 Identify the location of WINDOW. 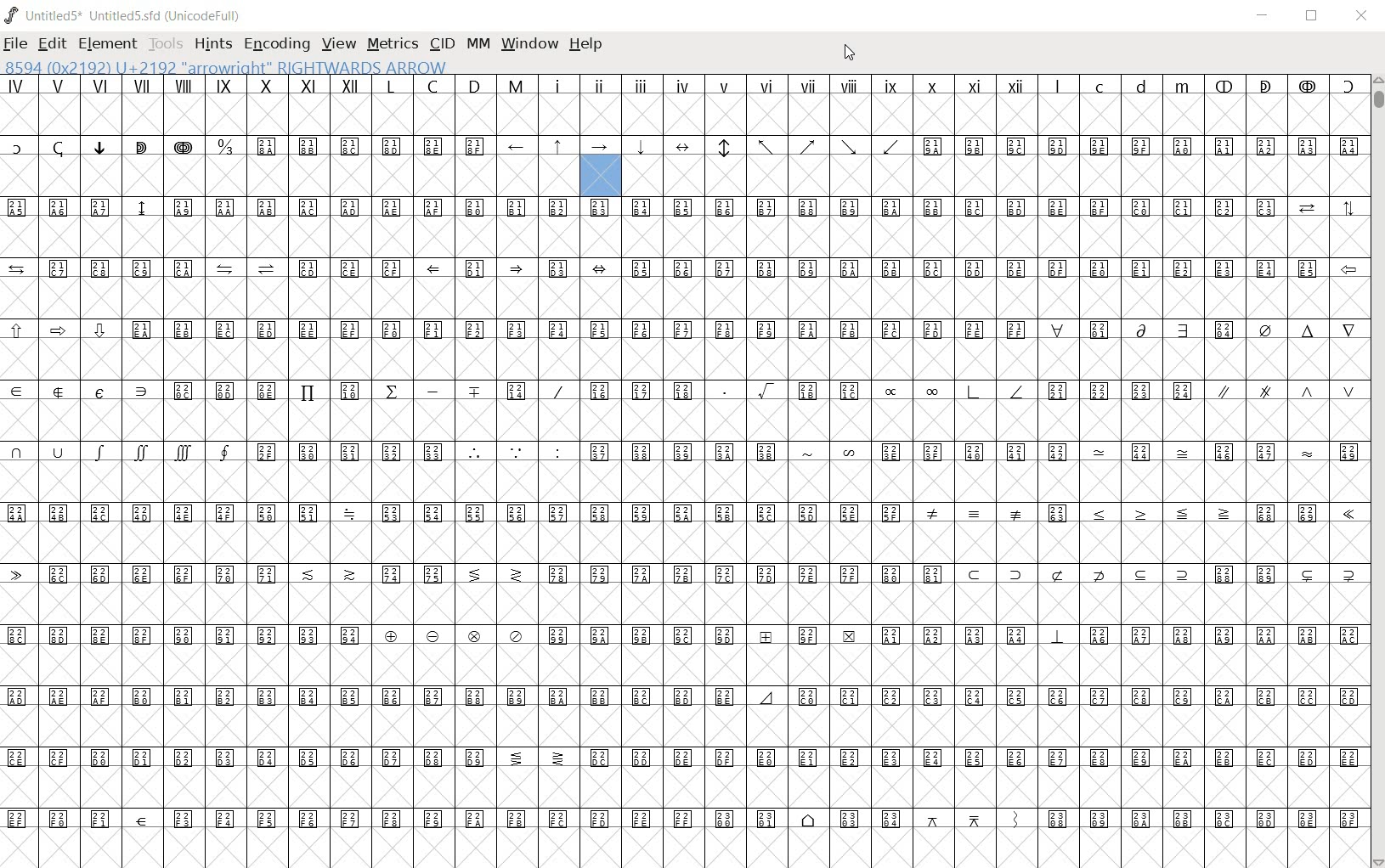
(531, 45).